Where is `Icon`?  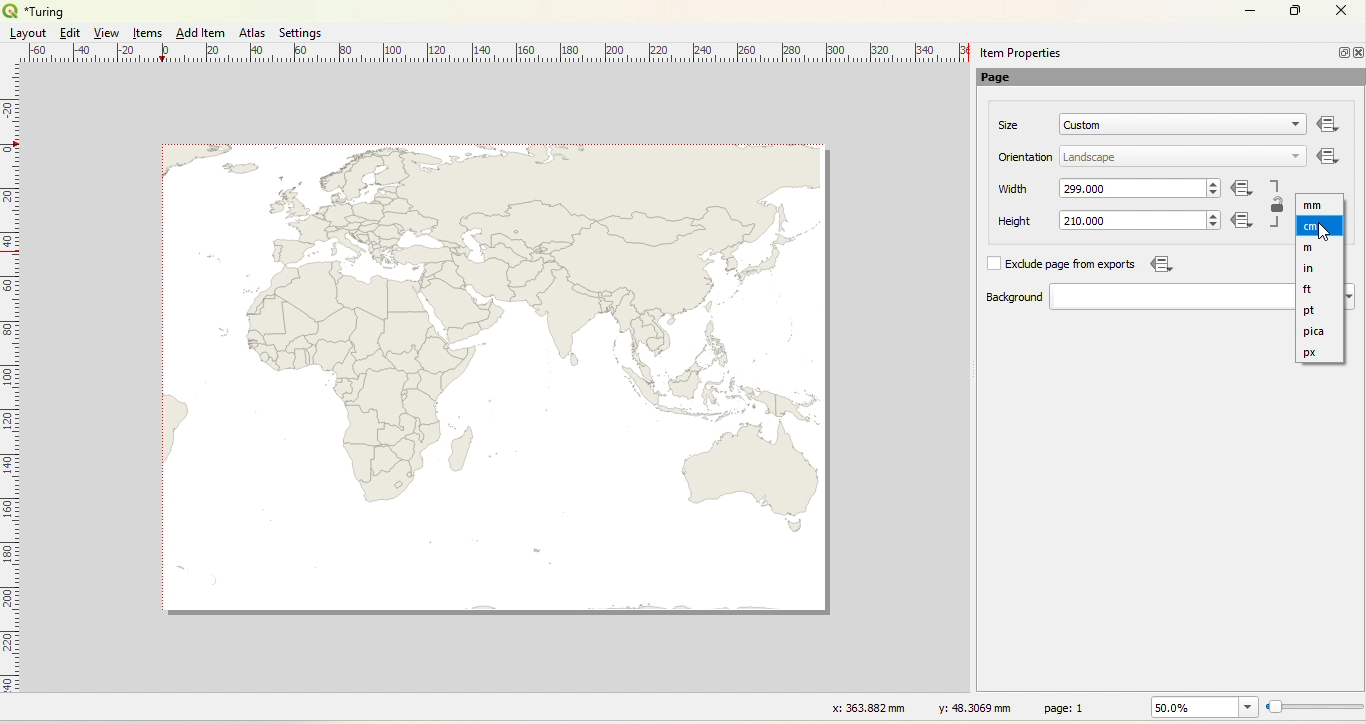
Icon is located at coordinates (1246, 222).